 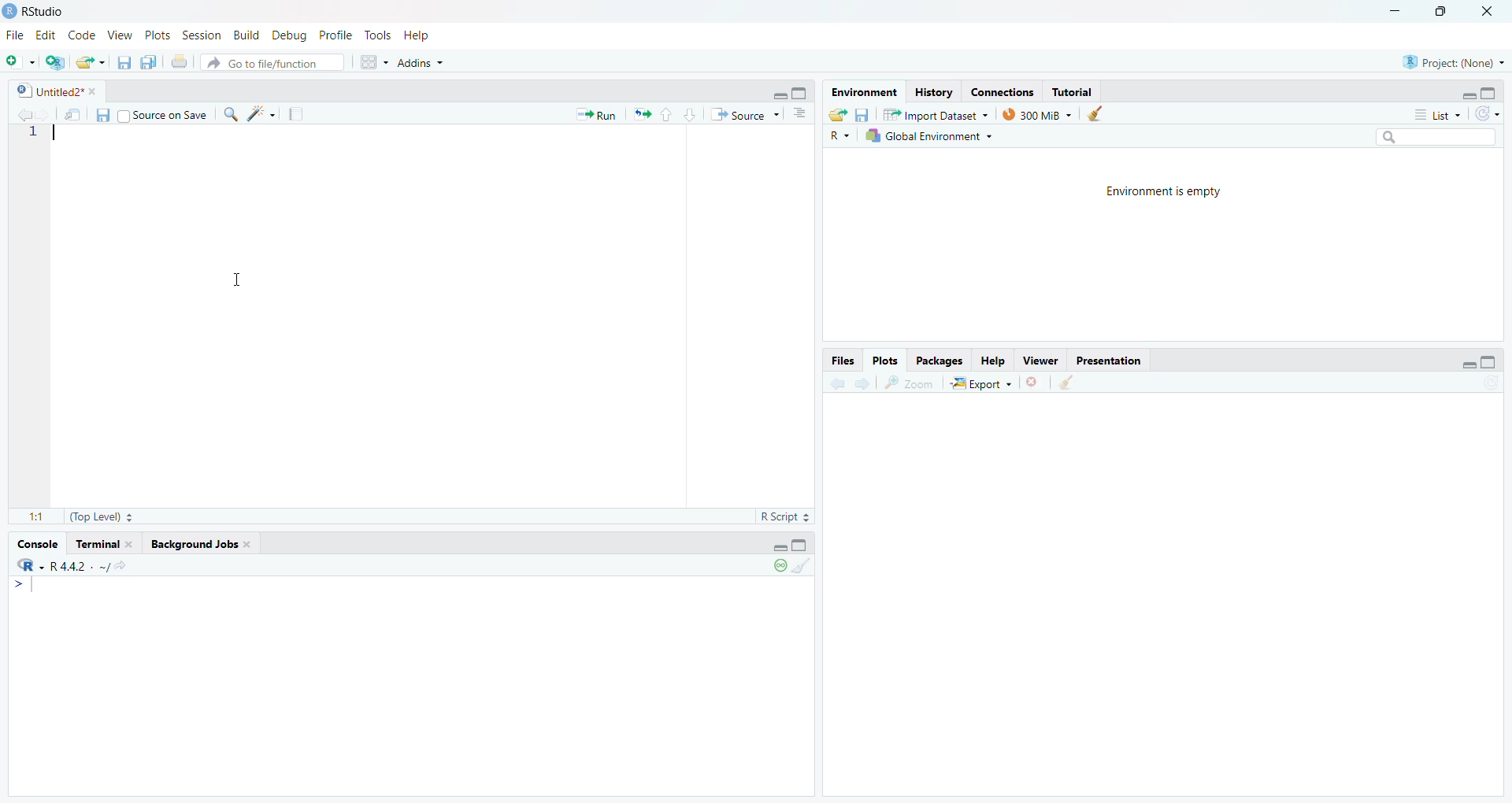 What do you see at coordinates (149, 62) in the screenshot?
I see `save all open documents` at bounding box center [149, 62].